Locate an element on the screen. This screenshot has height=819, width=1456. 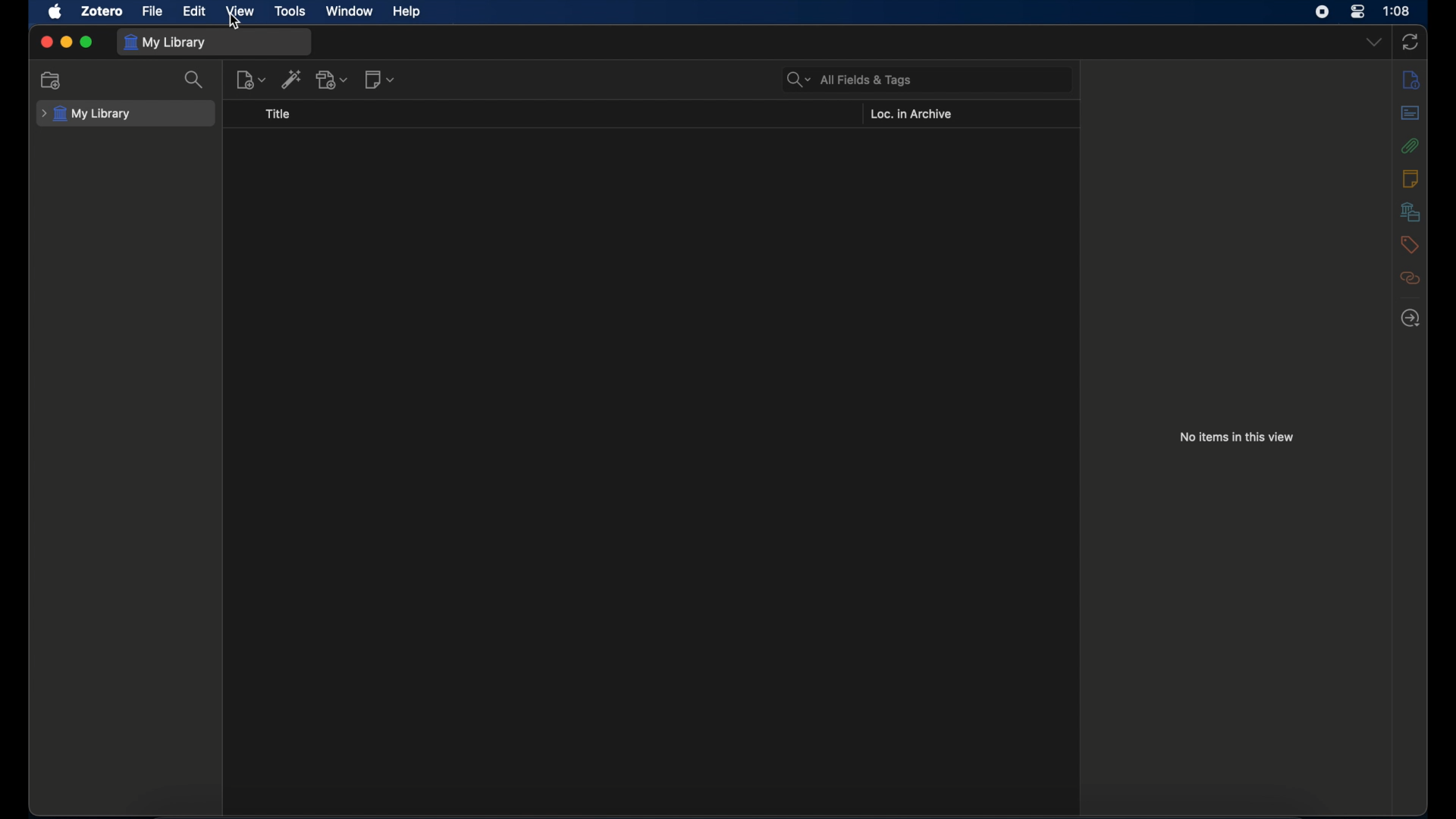
add attachments is located at coordinates (332, 80).